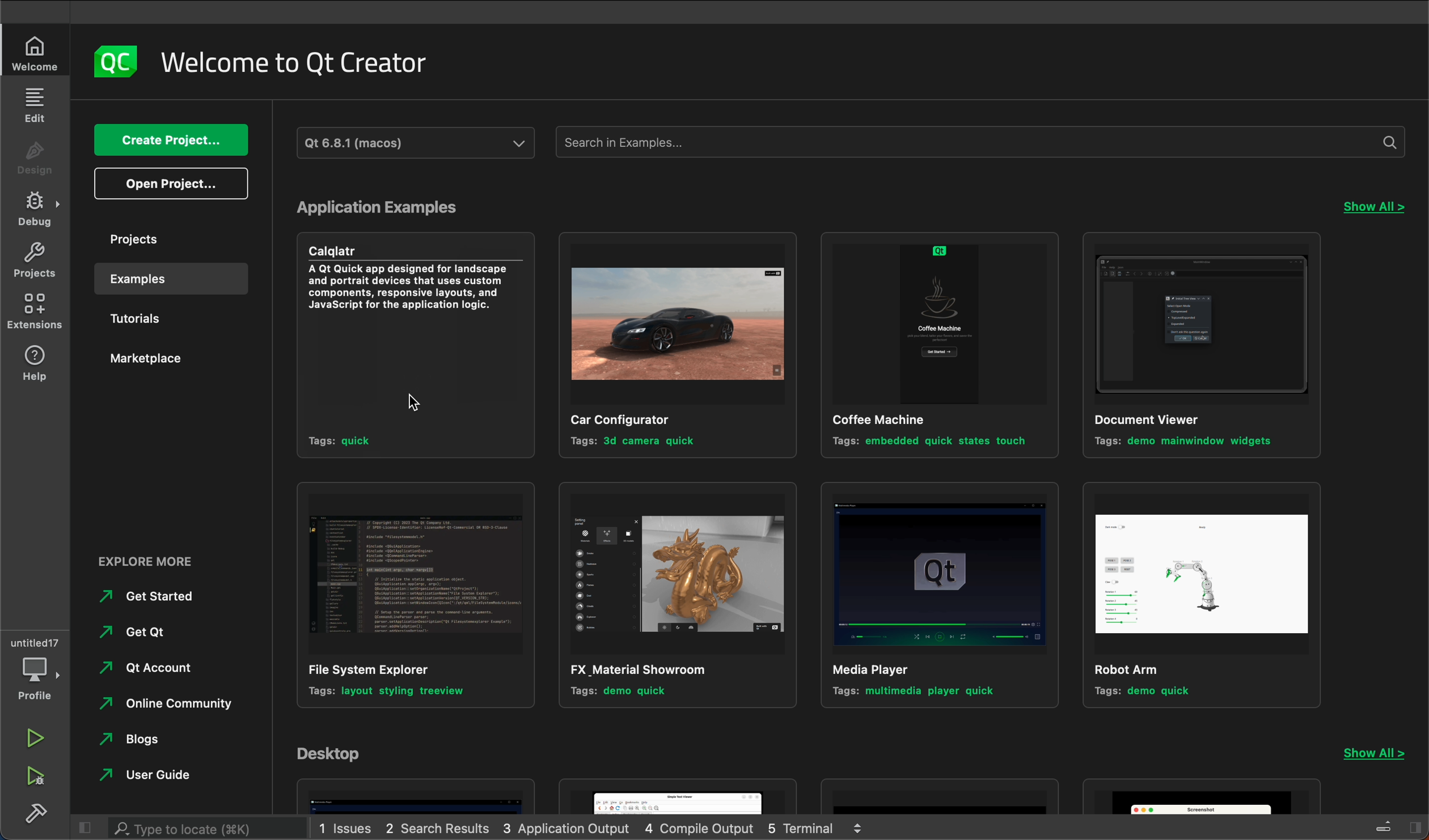 The height and width of the screenshot is (840, 1429). What do you see at coordinates (172, 599) in the screenshot?
I see `get started` at bounding box center [172, 599].